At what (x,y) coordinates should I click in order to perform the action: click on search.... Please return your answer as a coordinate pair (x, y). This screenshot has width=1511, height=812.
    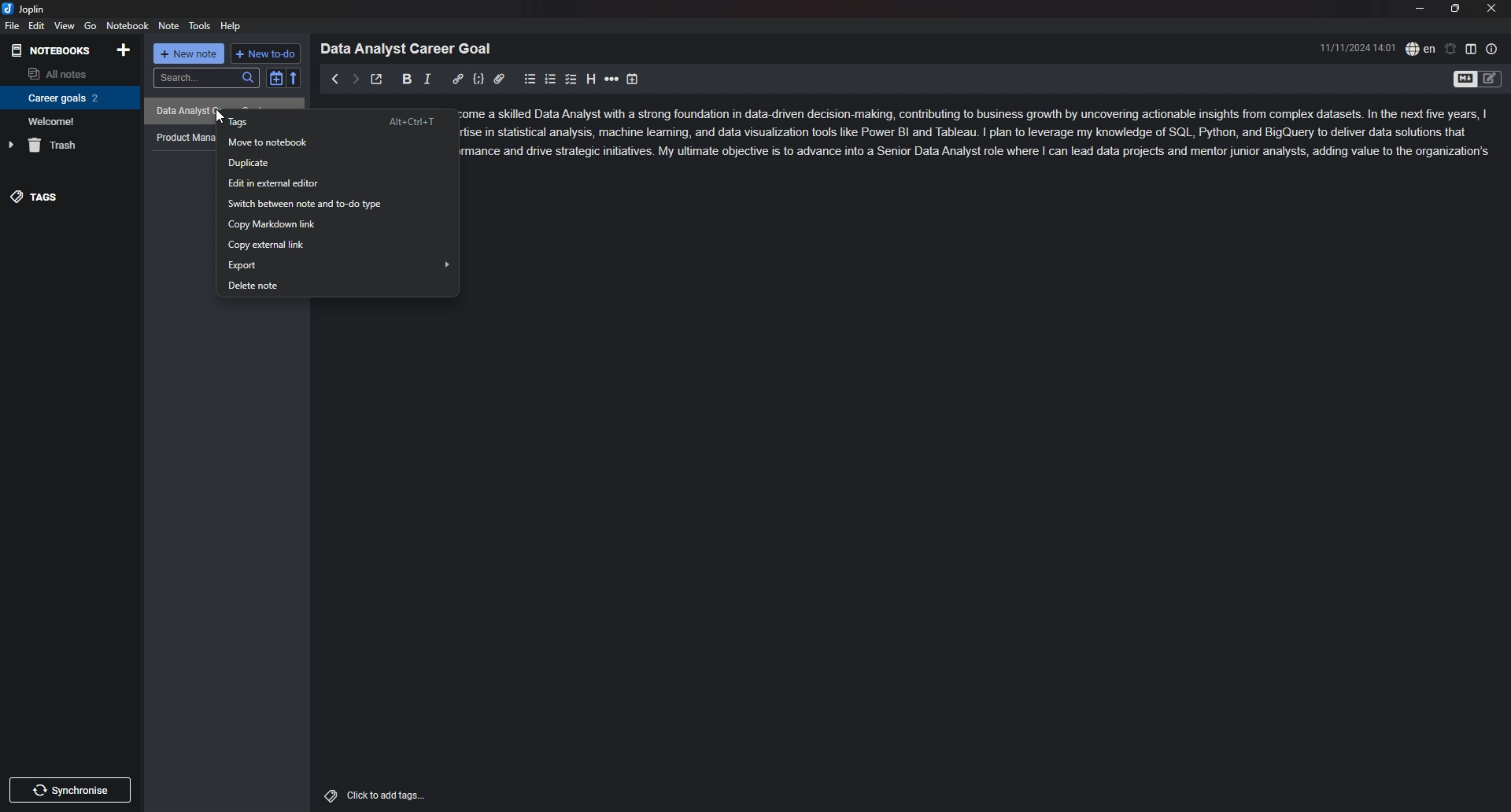
    Looking at the image, I should click on (205, 78).